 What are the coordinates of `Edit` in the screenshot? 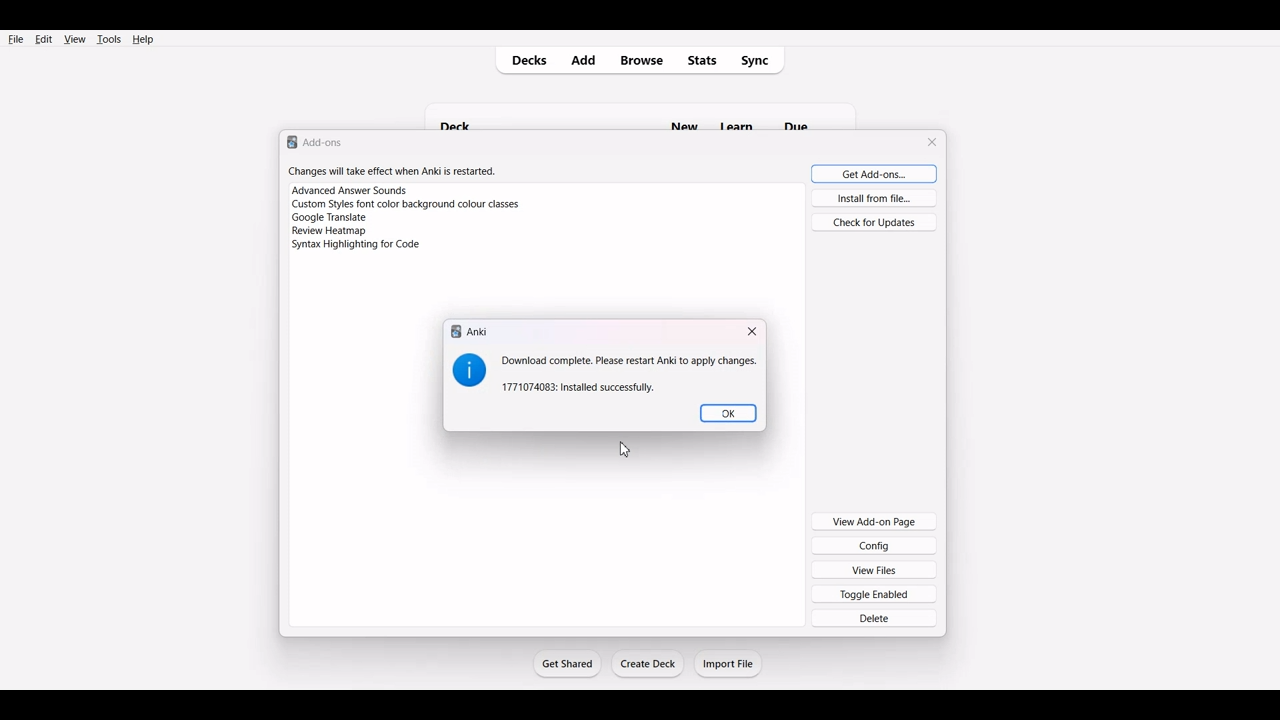 It's located at (43, 39).